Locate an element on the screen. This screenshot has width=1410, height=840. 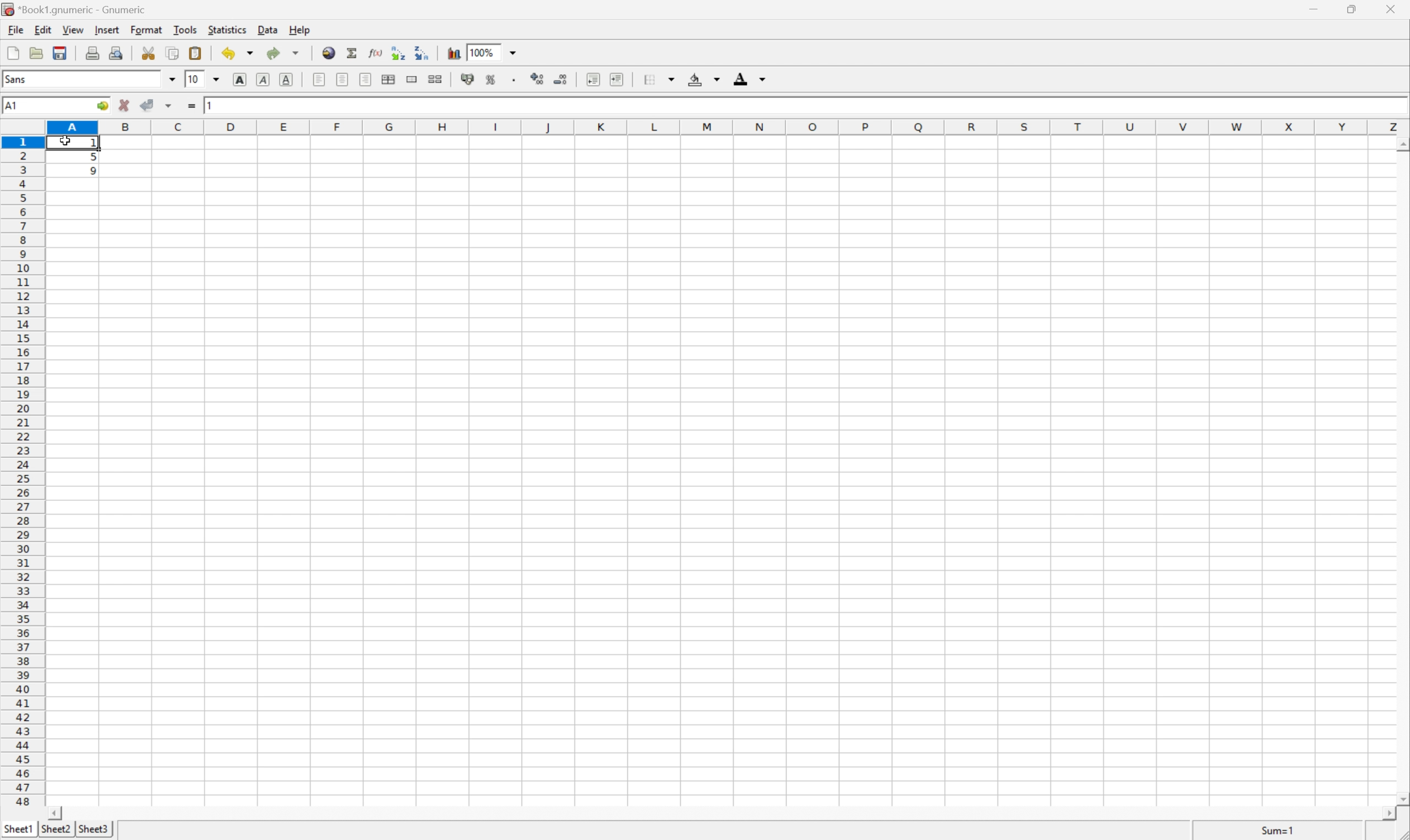
row numbers is located at coordinates (22, 472).